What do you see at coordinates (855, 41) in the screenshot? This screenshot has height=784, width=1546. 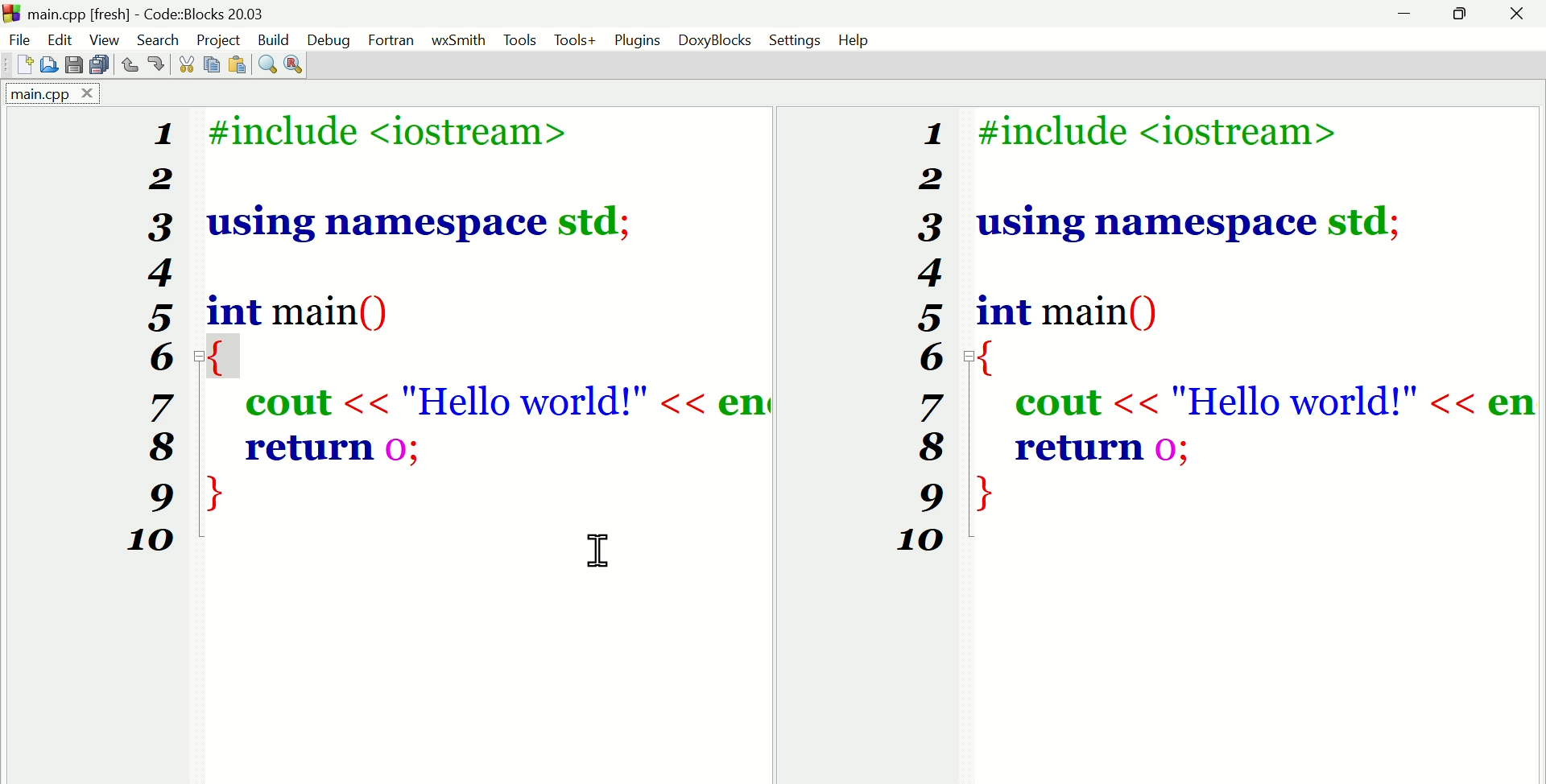 I see `help` at bounding box center [855, 41].